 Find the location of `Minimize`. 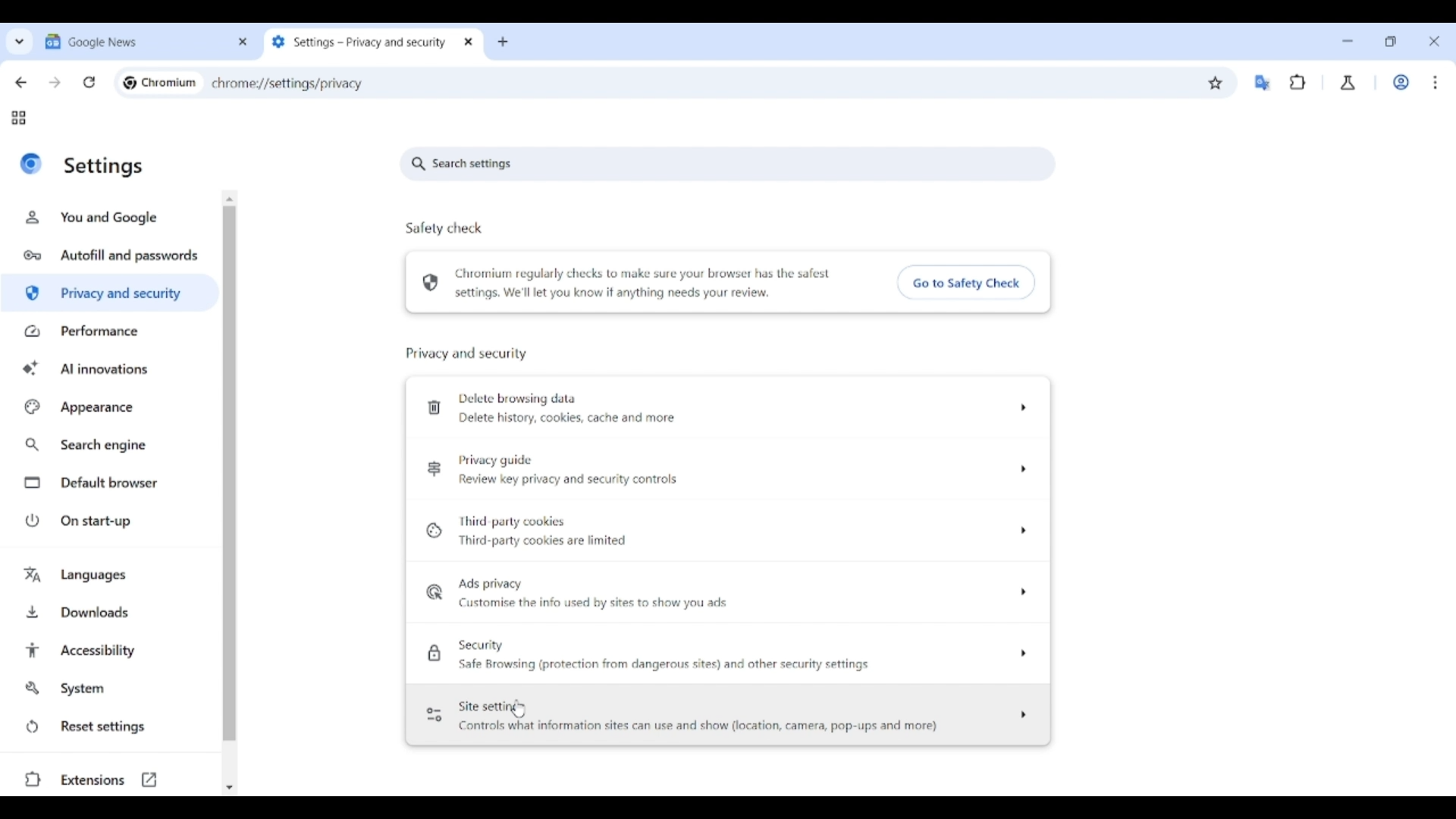

Minimize is located at coordinates (1348, 41).